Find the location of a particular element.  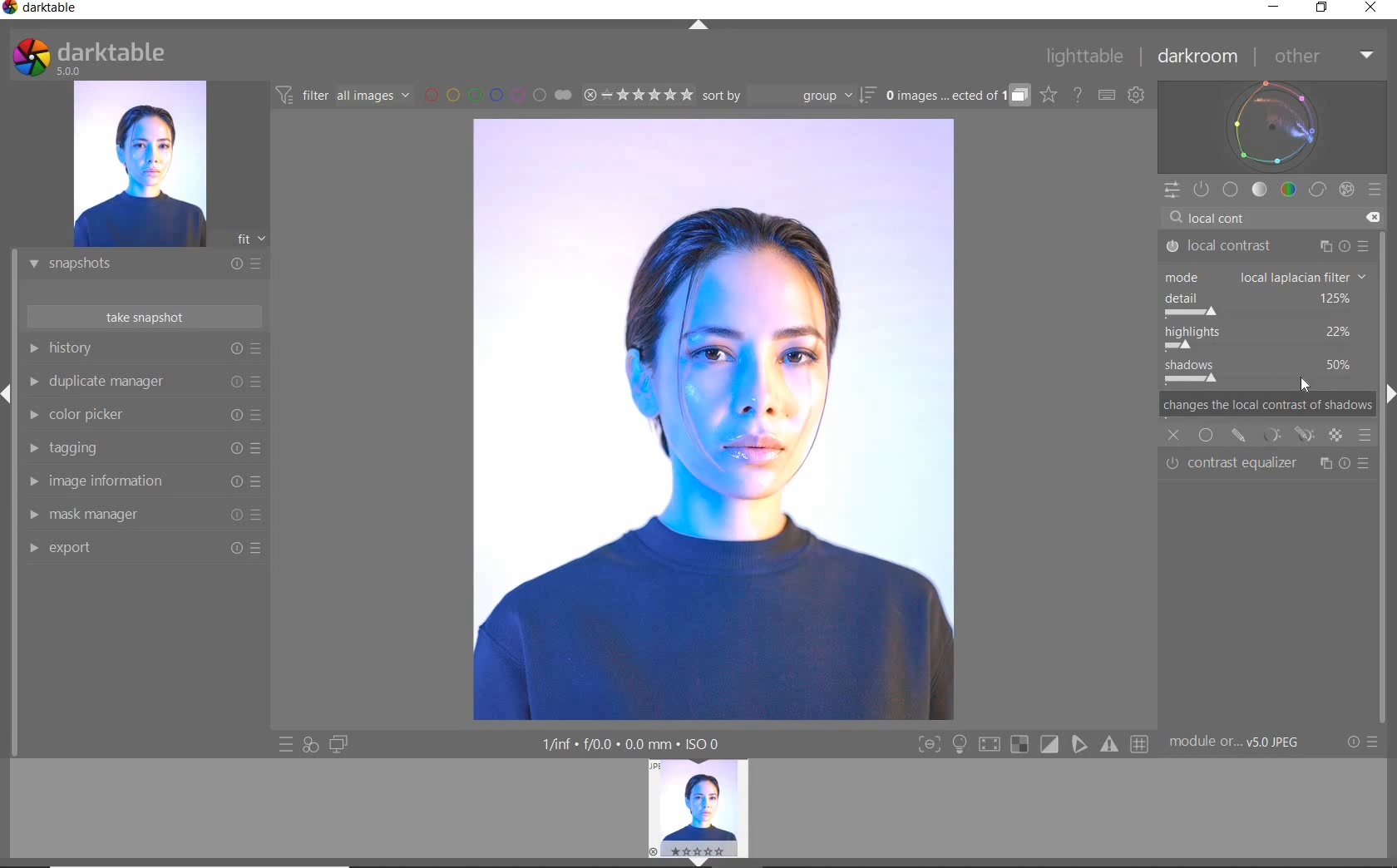

LIGHTTABLE is located at coordinates (1085, 59).